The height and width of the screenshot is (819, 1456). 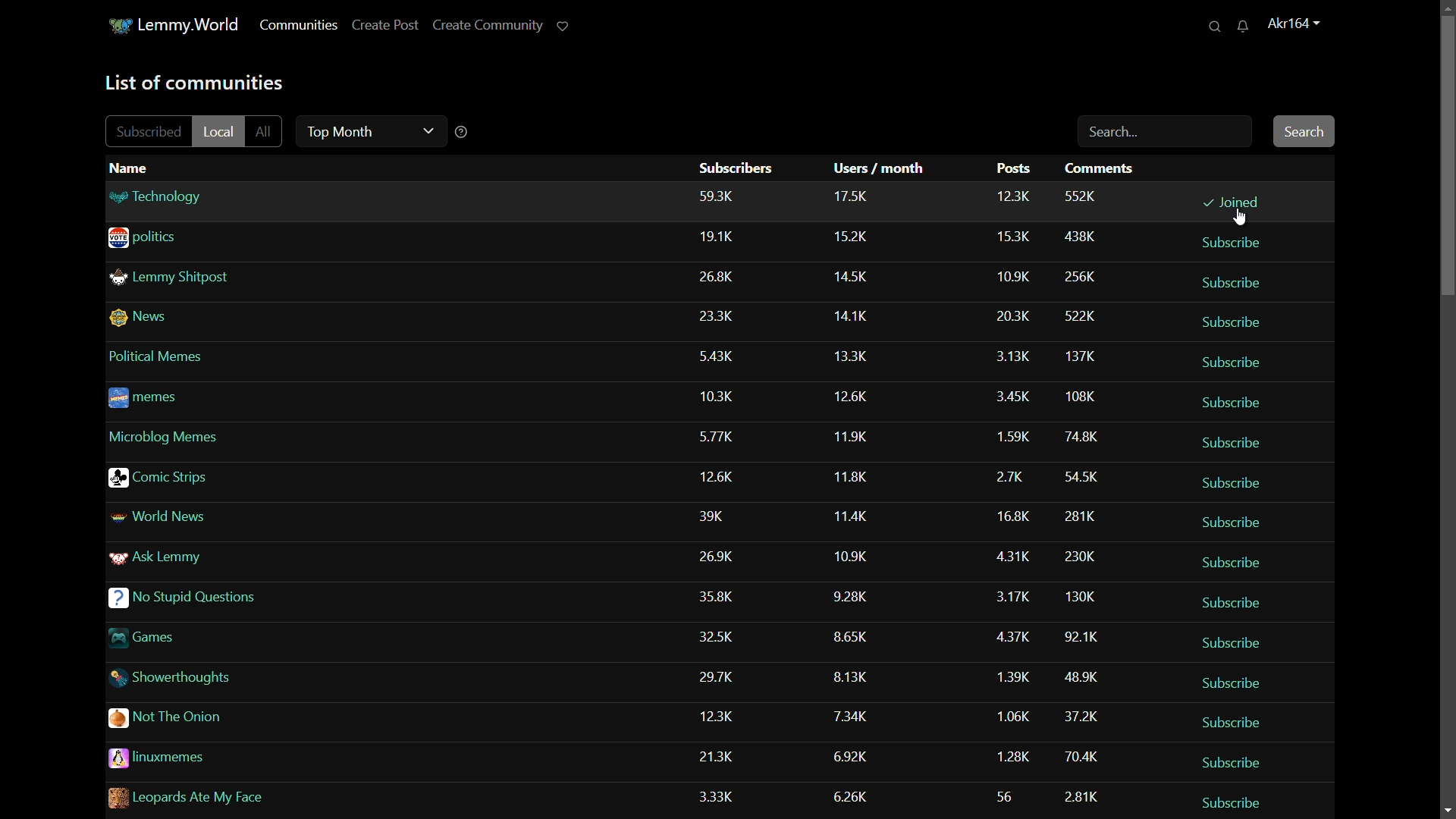 I want to click on search button, so click(x=1305, y=130).